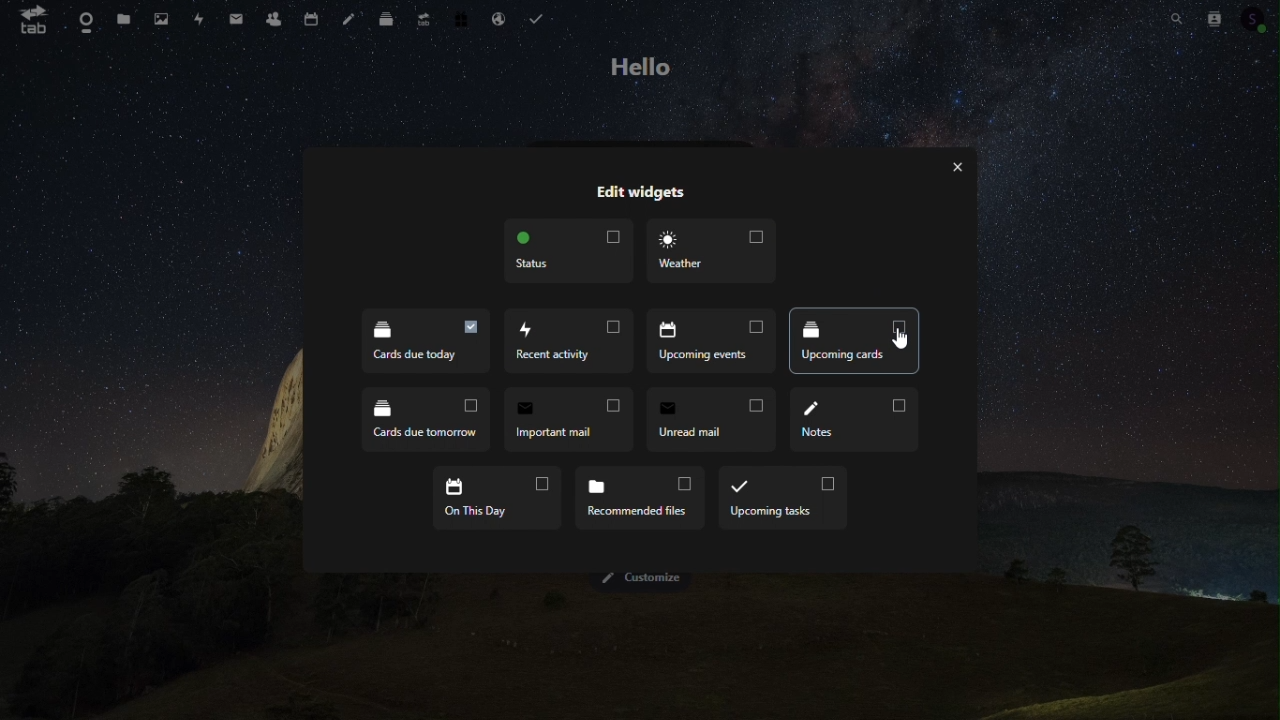 The width and height of the screenshot is (1280, 720). What do you see at coordinates (160, 19) in the screenshot?
I see `Photos` at bounding box center [160, 19].